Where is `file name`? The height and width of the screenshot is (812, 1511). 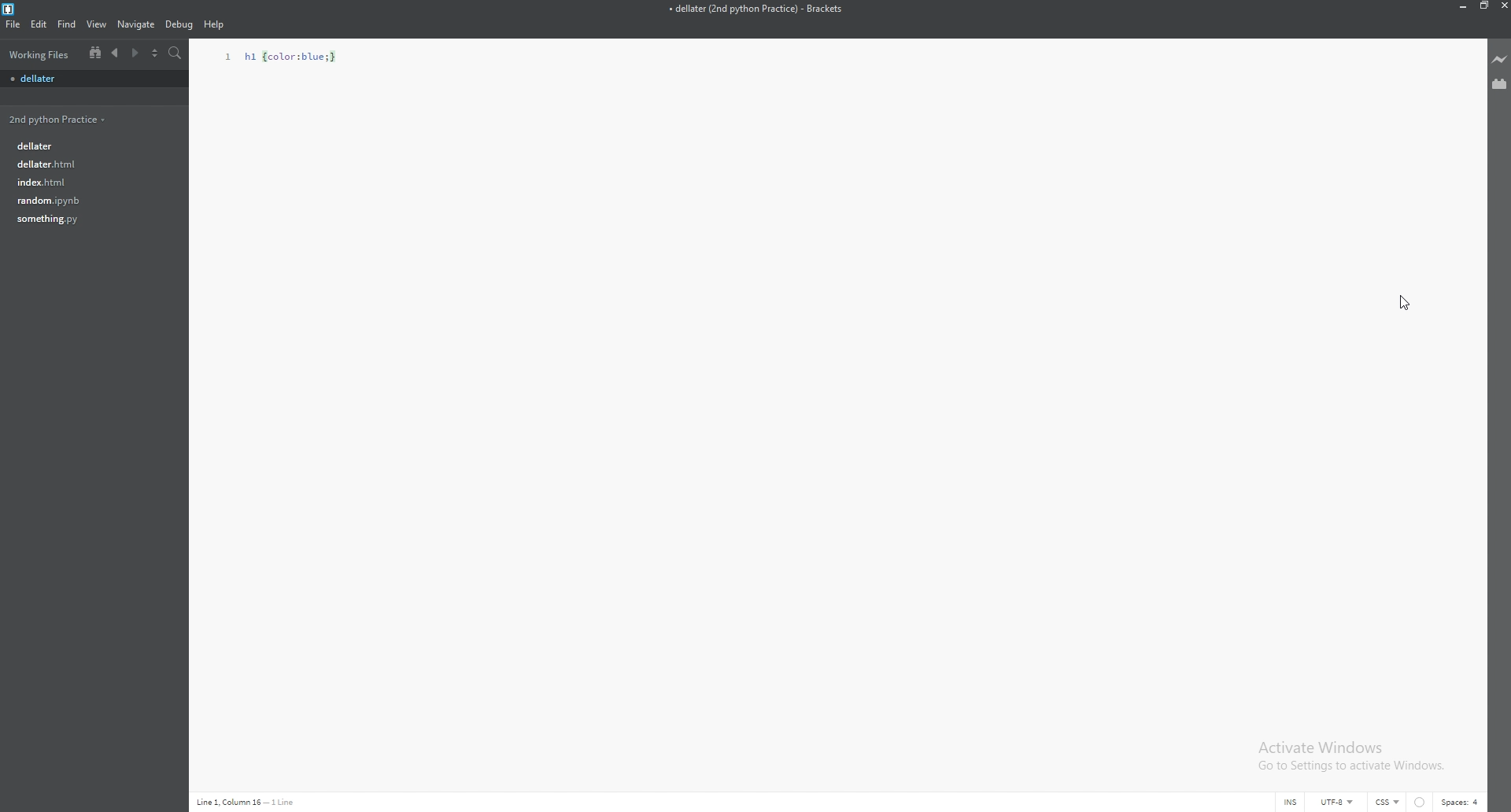
file name is located at coordinates (755, 9).